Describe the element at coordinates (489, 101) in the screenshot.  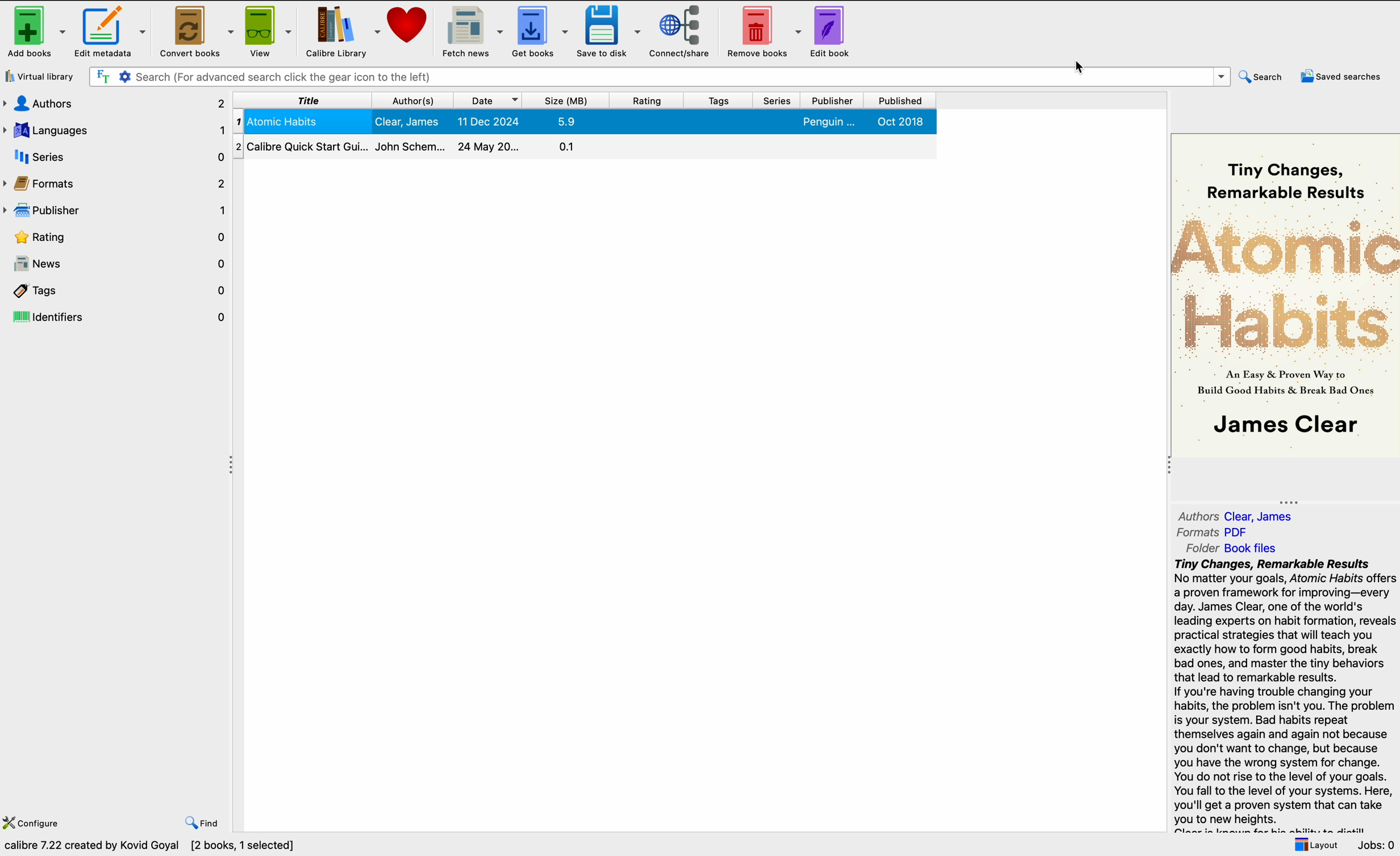
I see `date` at that location.